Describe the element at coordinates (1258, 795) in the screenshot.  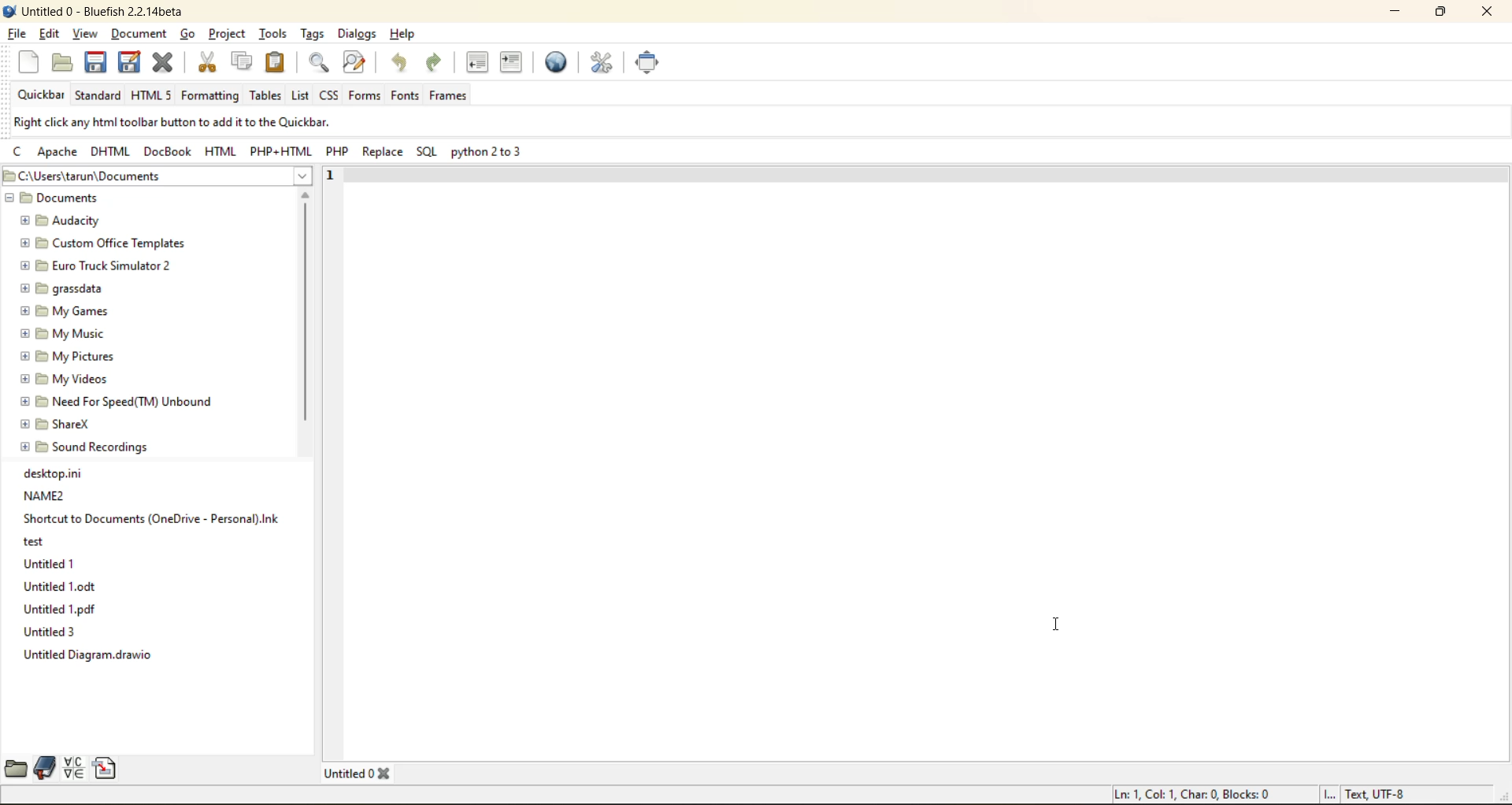
I see `metadata` at that location.